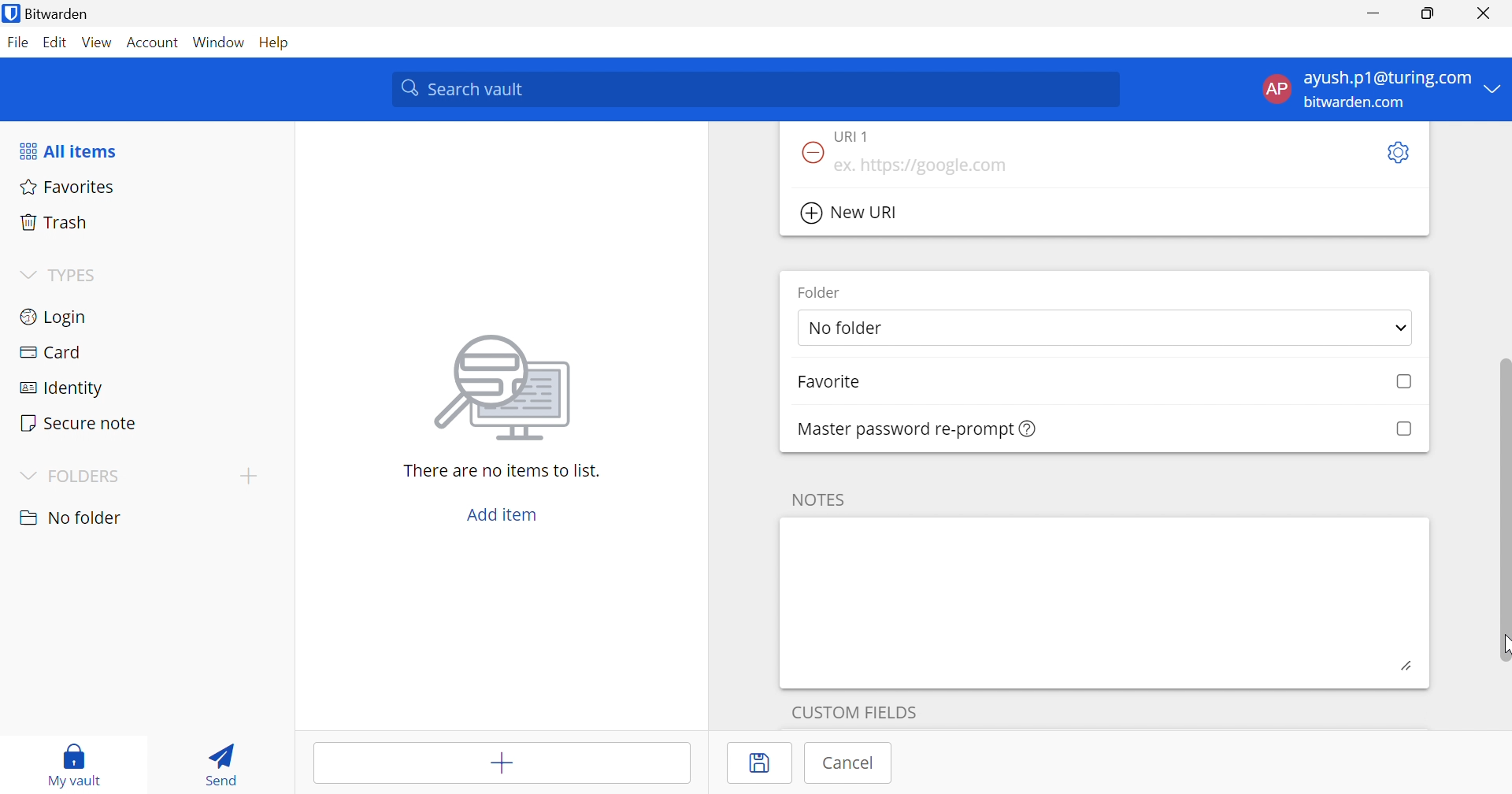 This screenshot has height=794, width=1512. I want to click on Favorites, so click(65, 185).